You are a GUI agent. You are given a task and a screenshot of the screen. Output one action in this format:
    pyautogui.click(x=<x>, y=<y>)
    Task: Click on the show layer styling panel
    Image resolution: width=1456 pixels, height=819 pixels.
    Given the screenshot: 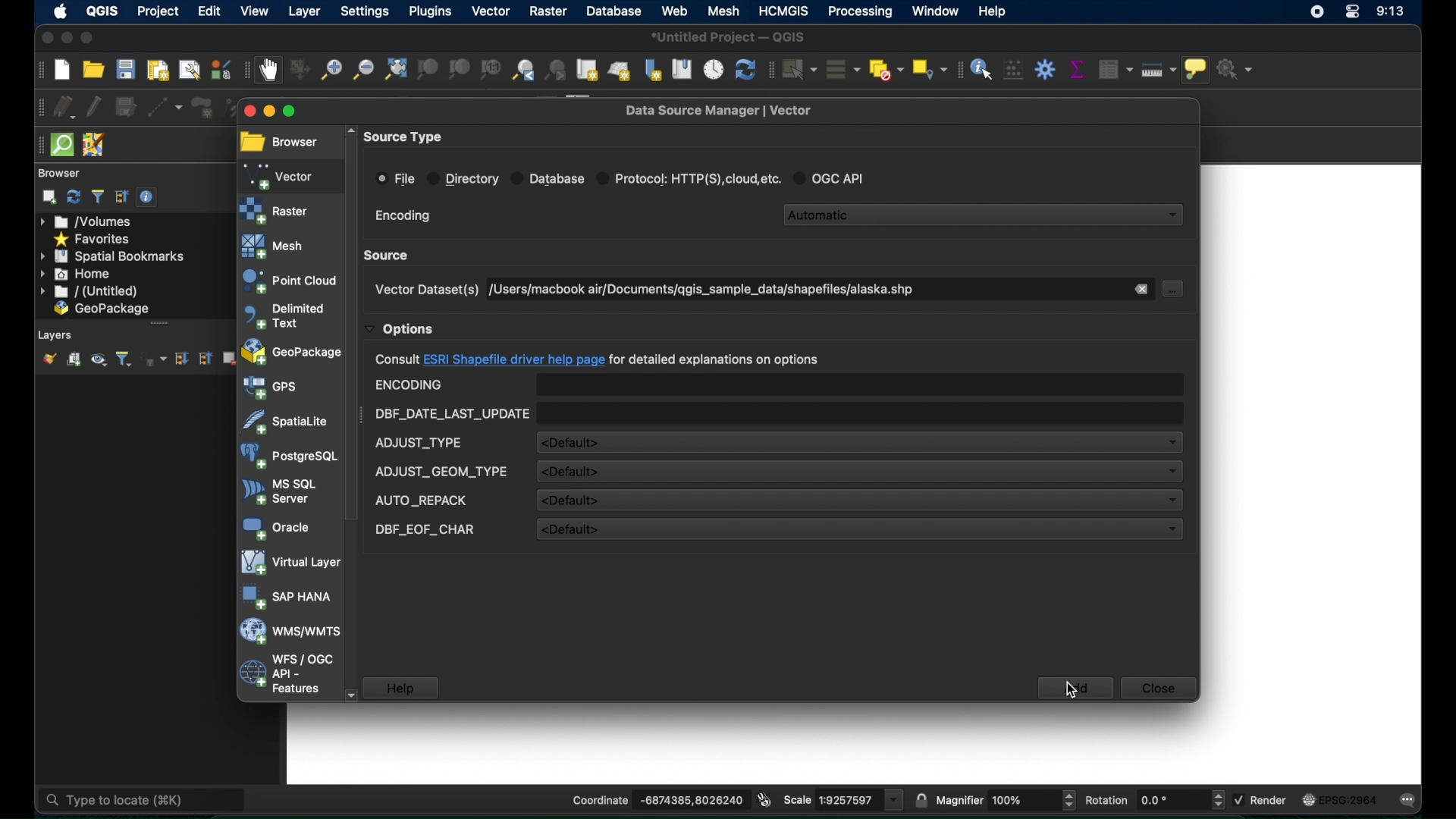 What is the action you would take?
    pyautogui.click(x=49, y=359)
    